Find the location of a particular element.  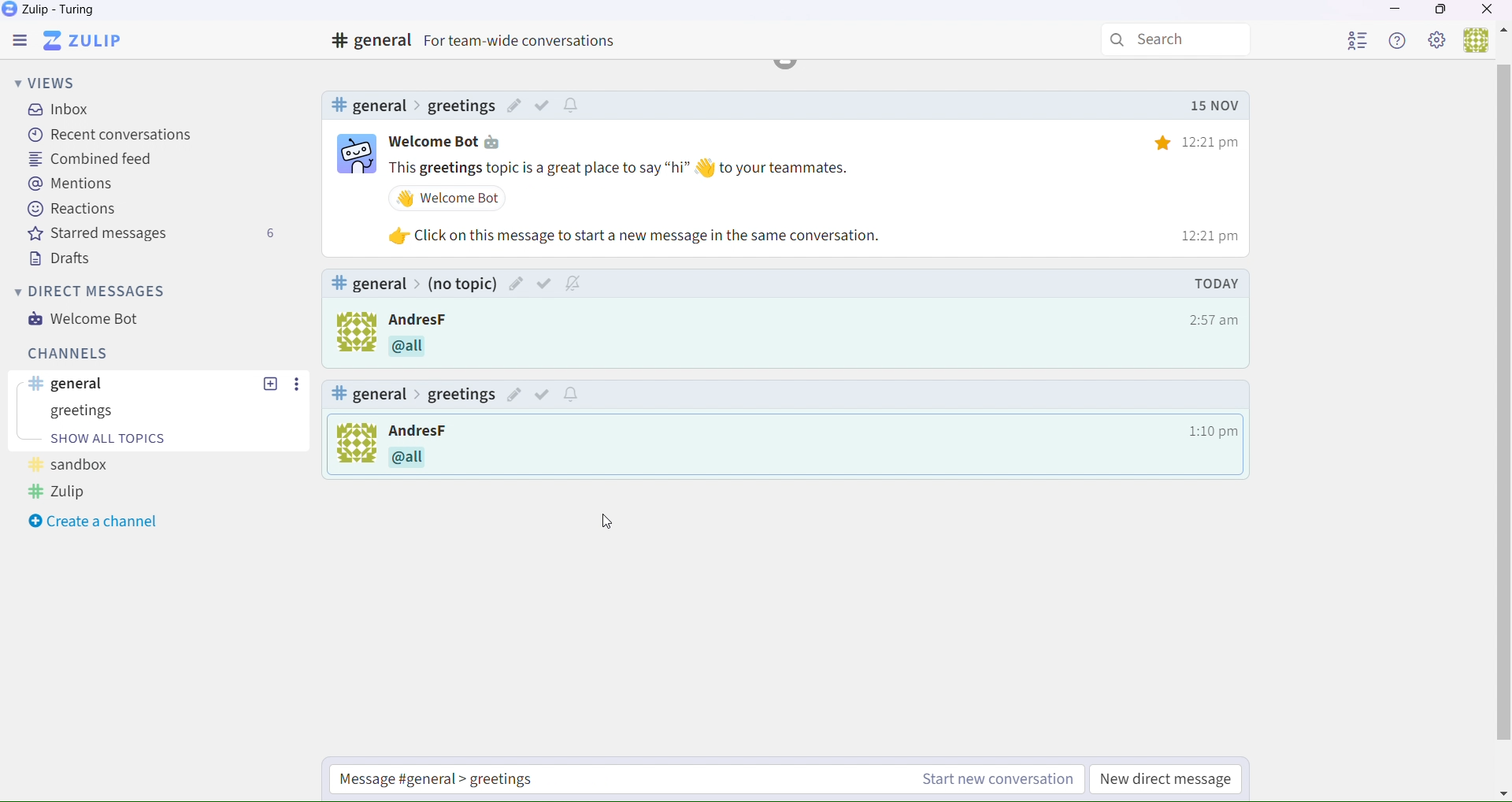

 is located at coordinates (543, 392).